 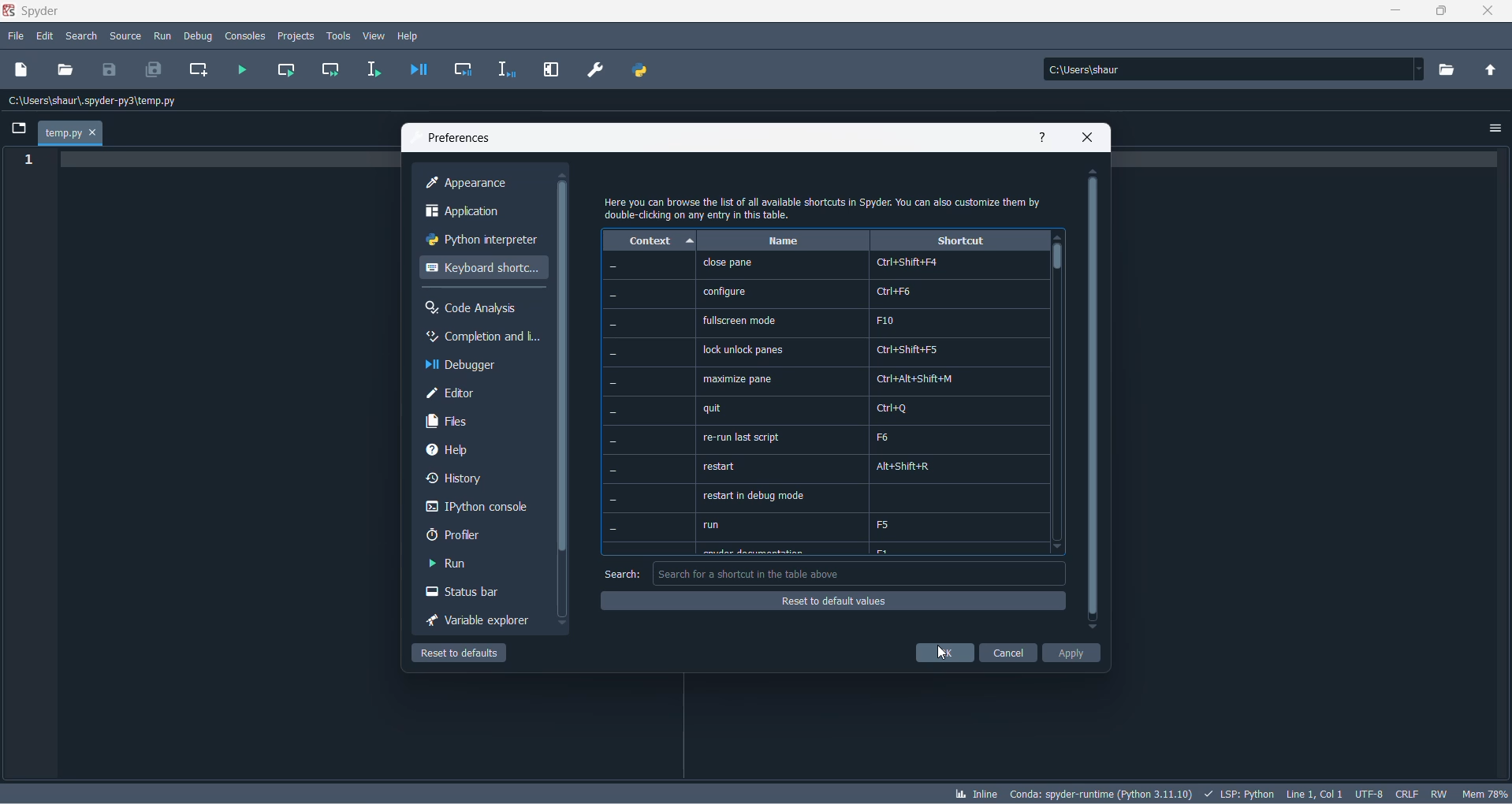 I want to click on cursor, so click(x=942, y=653).